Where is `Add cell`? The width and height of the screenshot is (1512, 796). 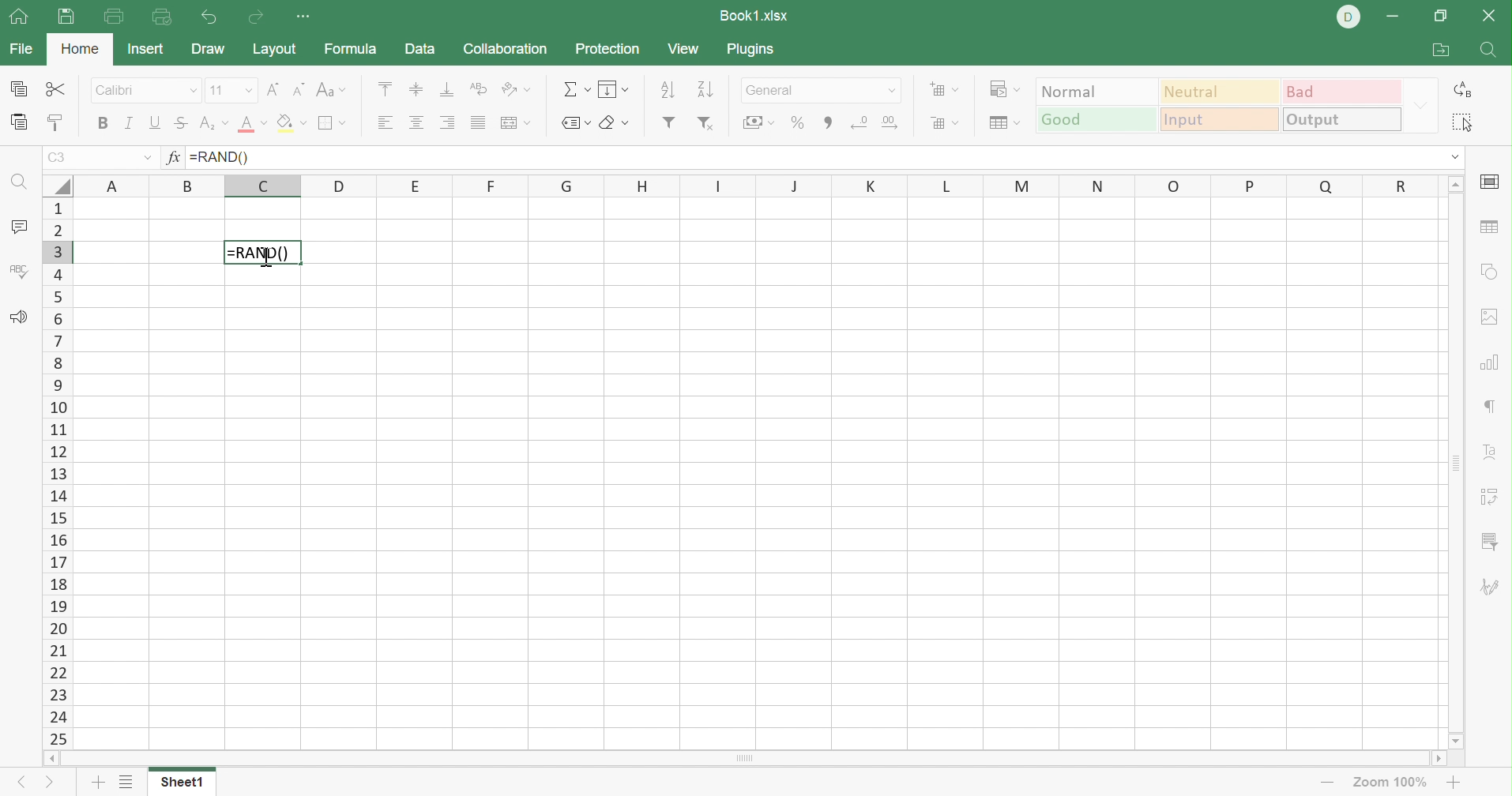
Add cell is located at coordinates (942, 88).